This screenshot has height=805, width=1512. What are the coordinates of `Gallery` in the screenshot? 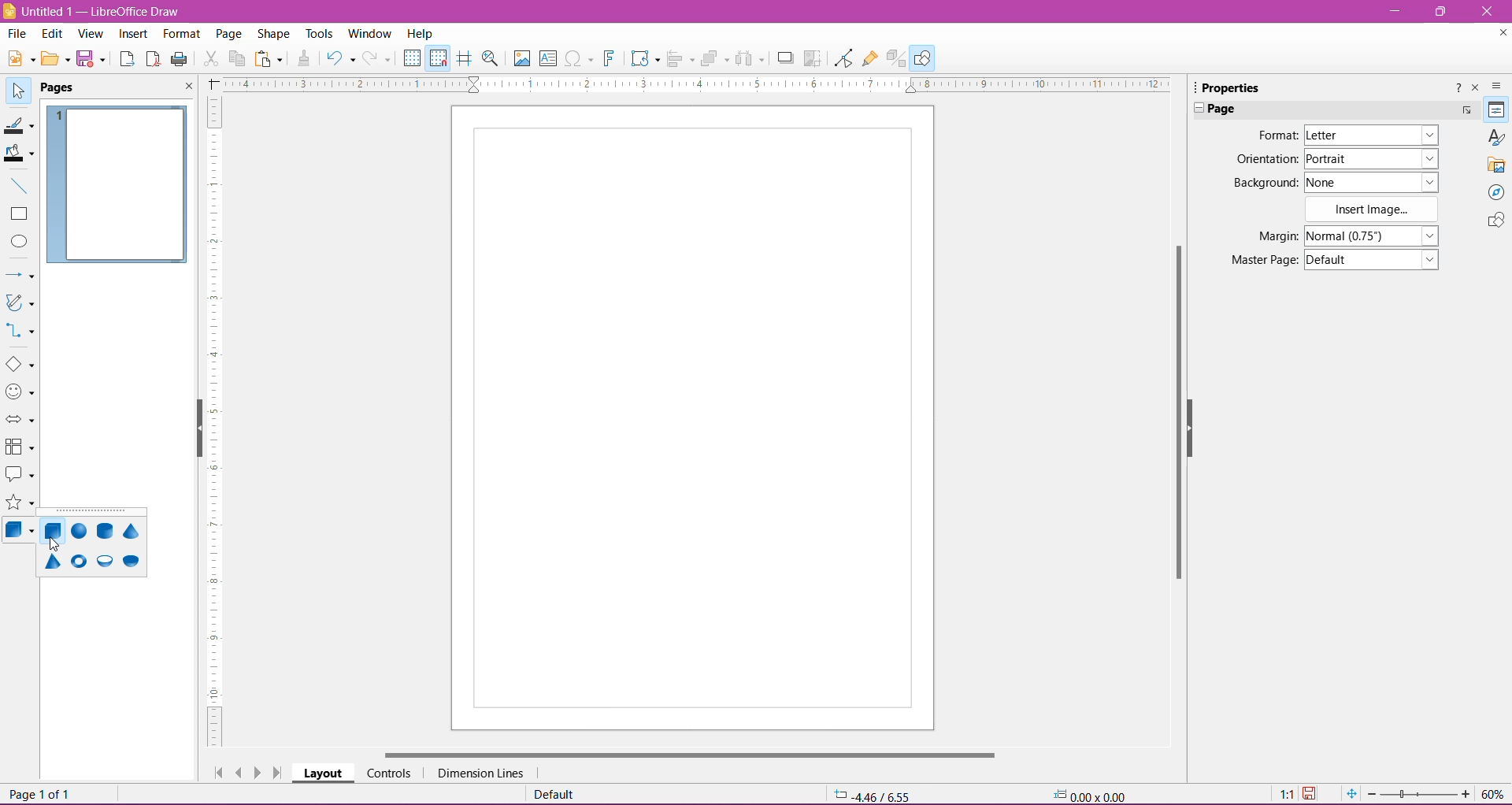 It's located at (1496, 165).